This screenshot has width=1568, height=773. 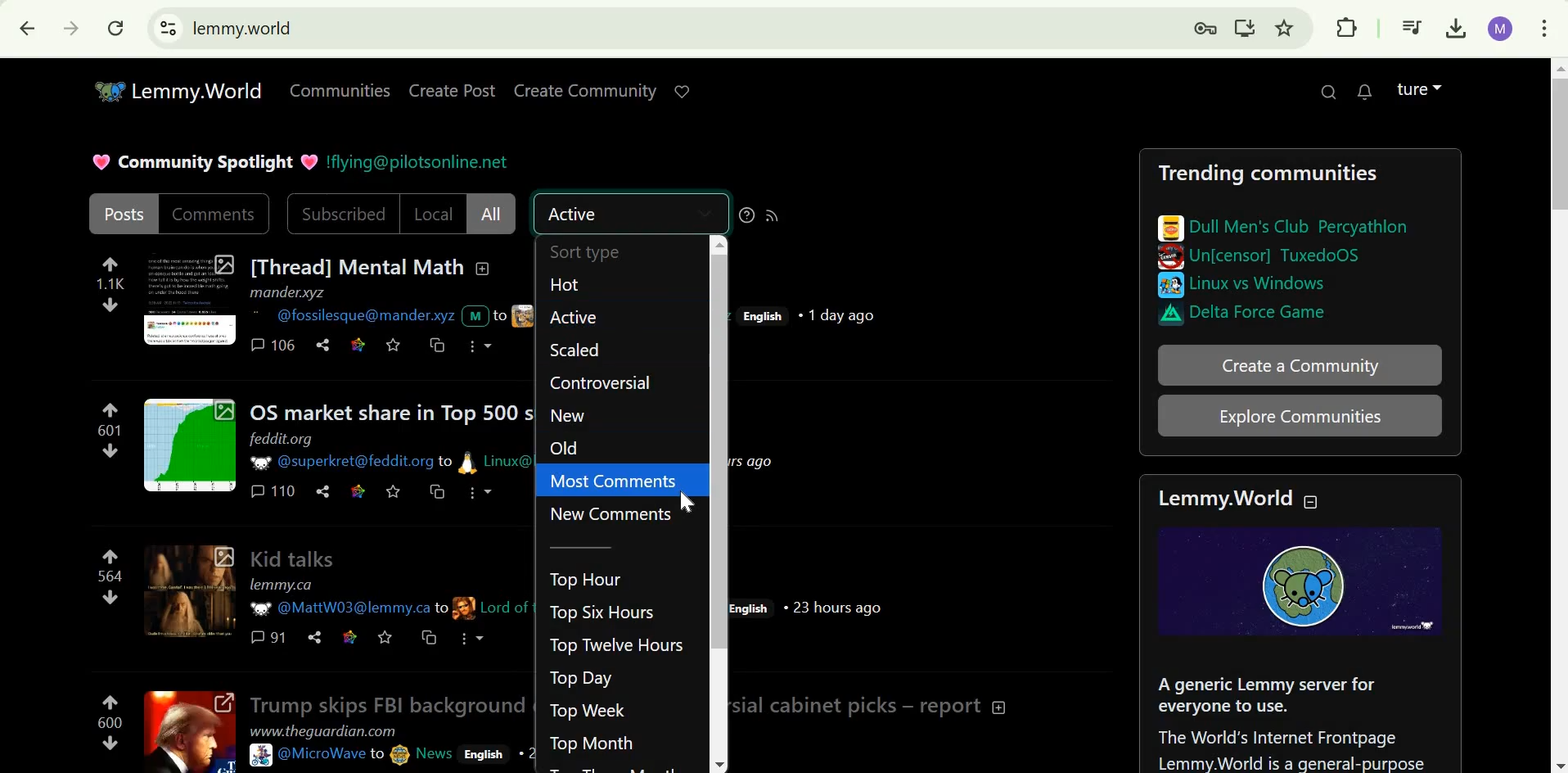 I want to click on picture, so click(x=262, y=754).